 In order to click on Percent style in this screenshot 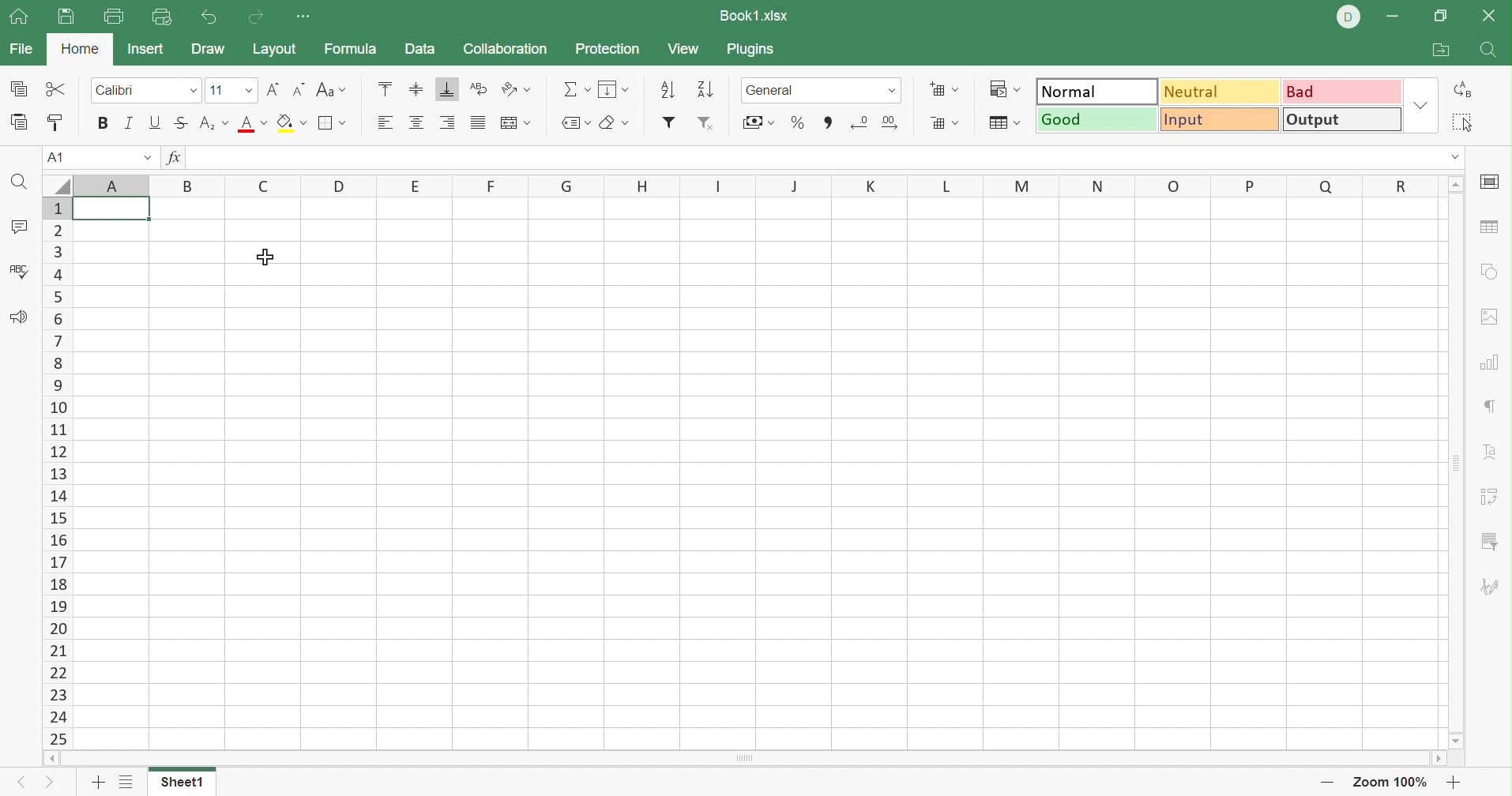, I will do `click(800, 122)`.